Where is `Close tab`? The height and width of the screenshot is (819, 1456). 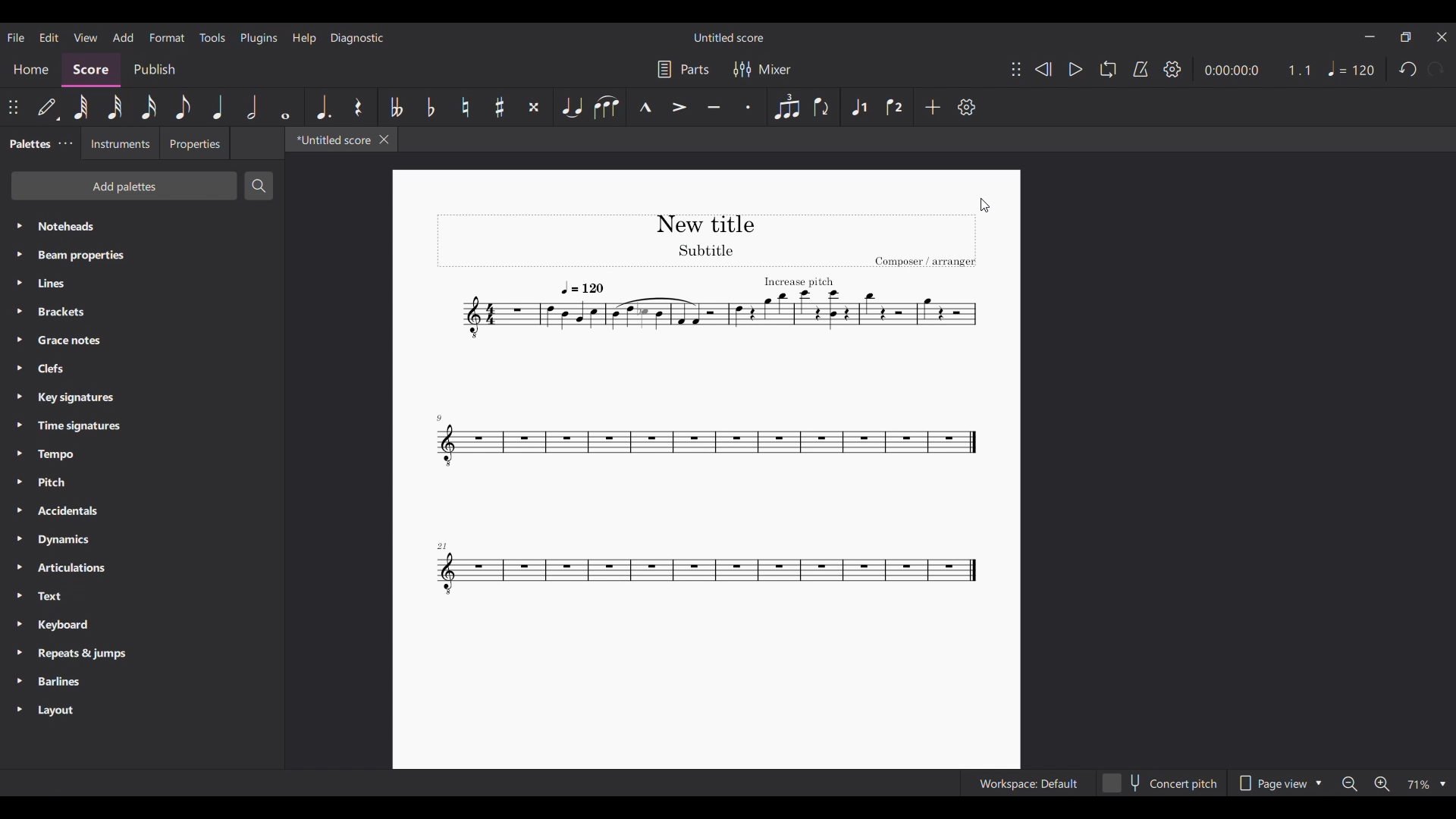
Close tab is located at coordinates (384, 140).